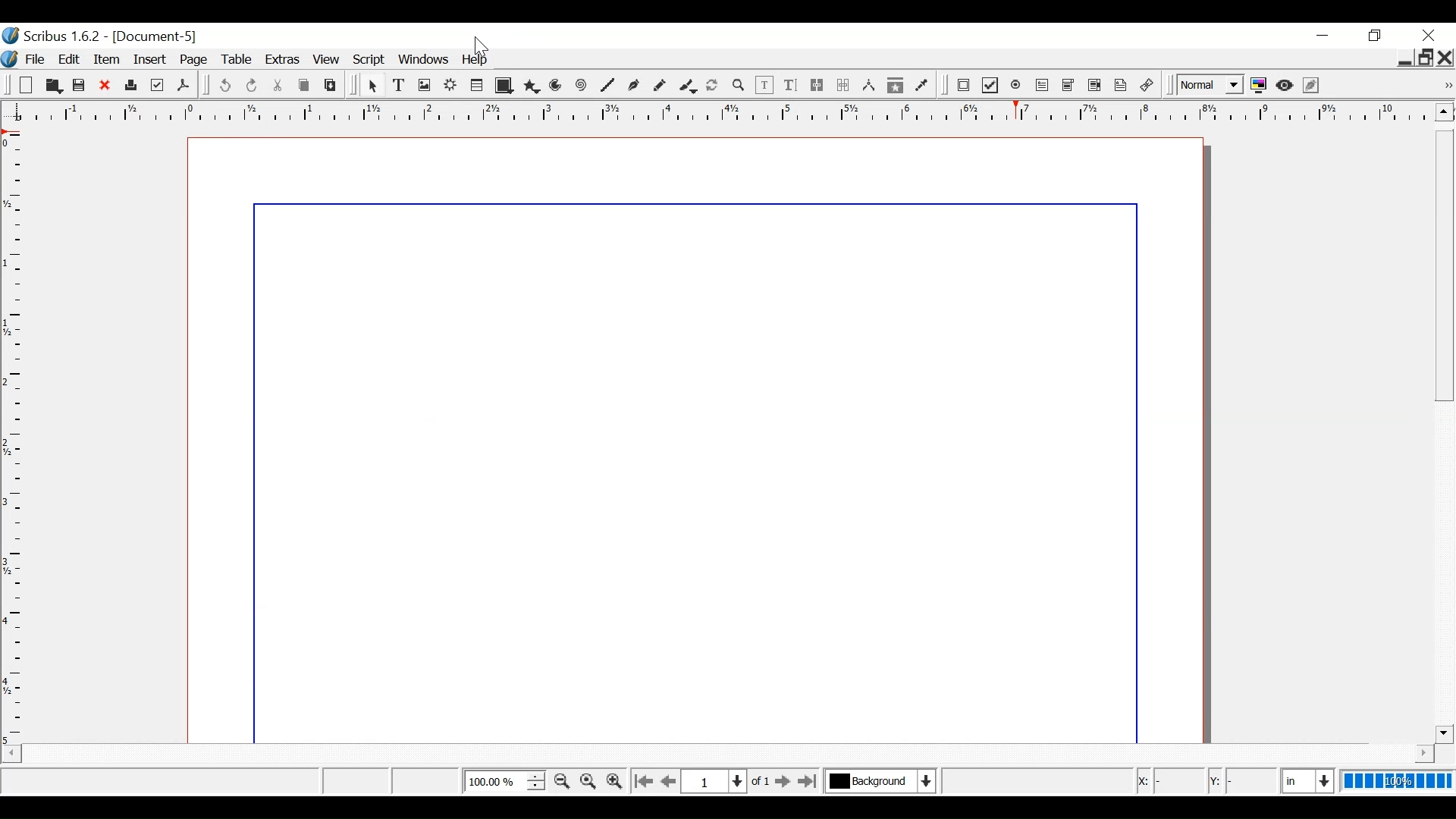  I want to click on Bezier curve, so click(632, 86).